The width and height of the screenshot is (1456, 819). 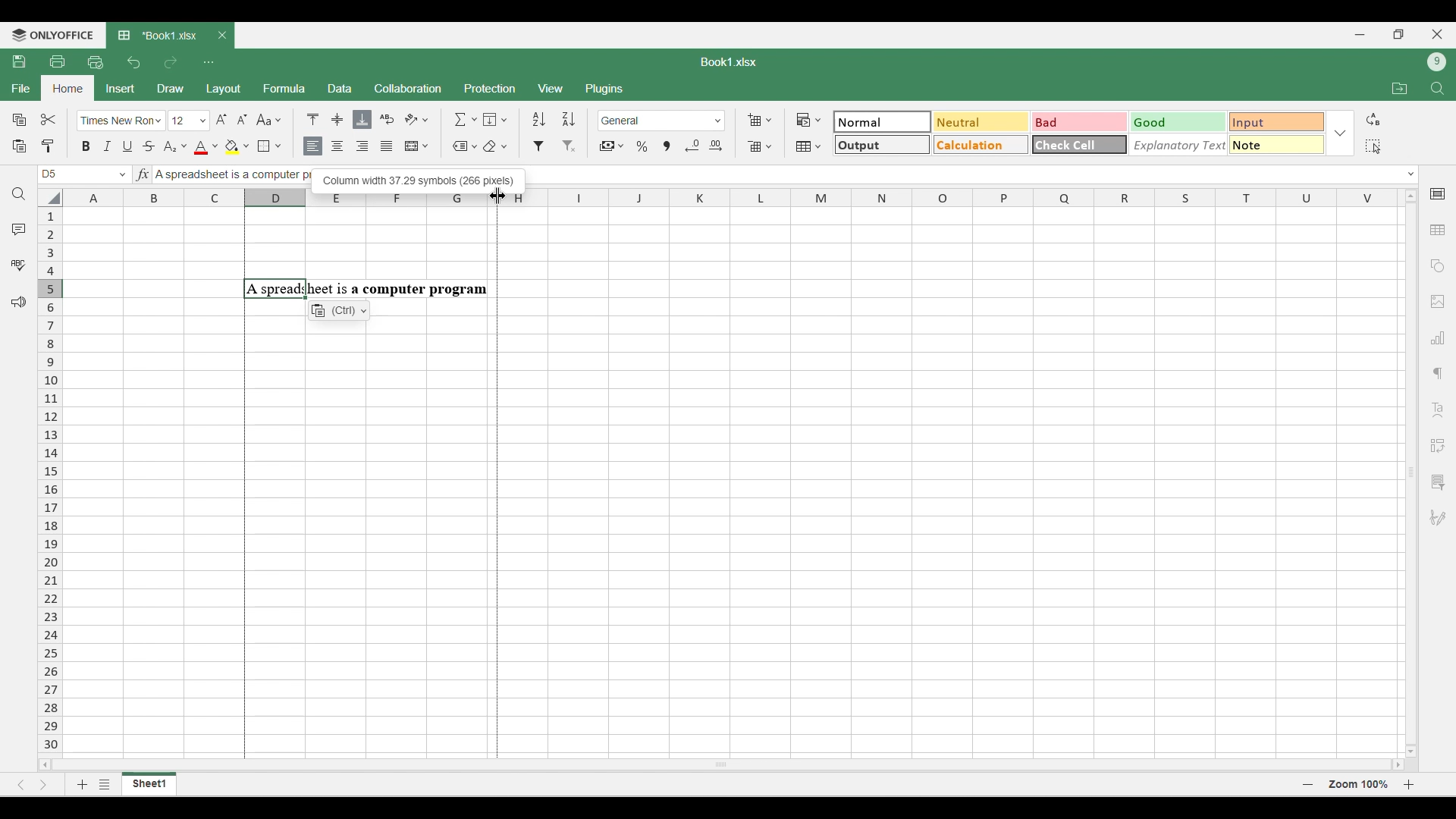 I want to click on Filter options, so click(x=554, y=146).